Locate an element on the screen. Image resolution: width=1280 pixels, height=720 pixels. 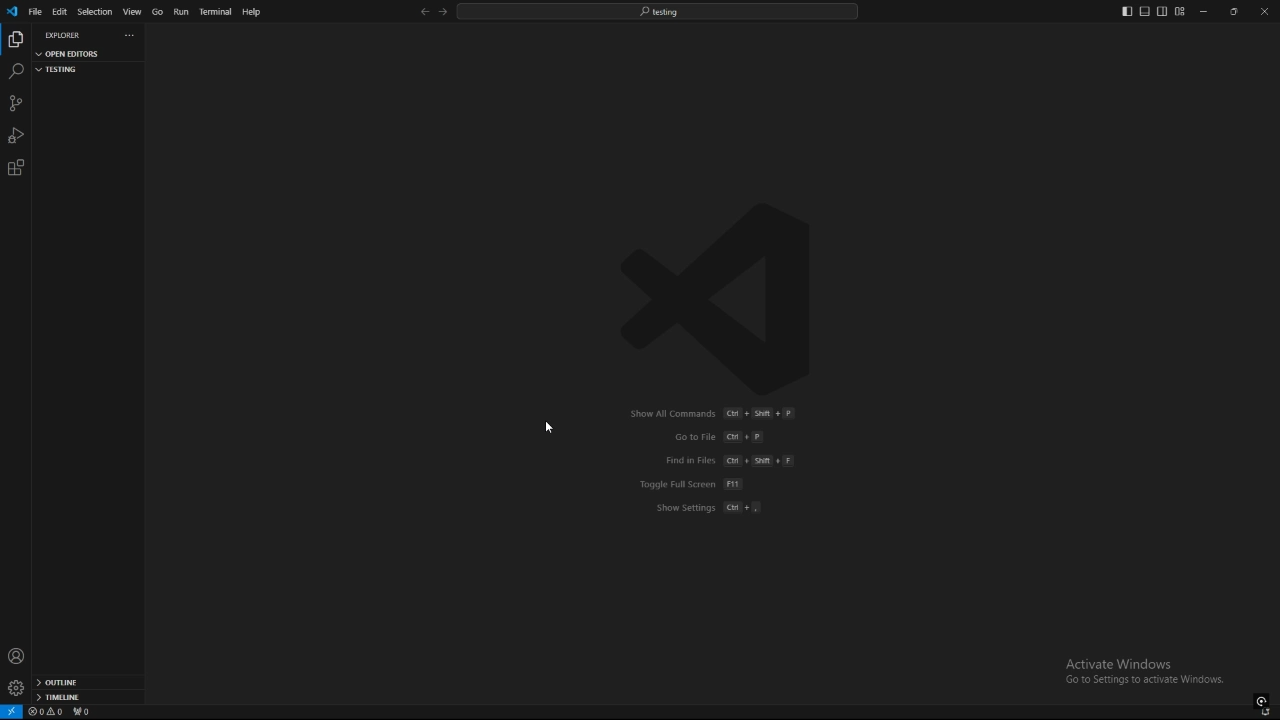
run and debug is located at coordinates (16, 135).